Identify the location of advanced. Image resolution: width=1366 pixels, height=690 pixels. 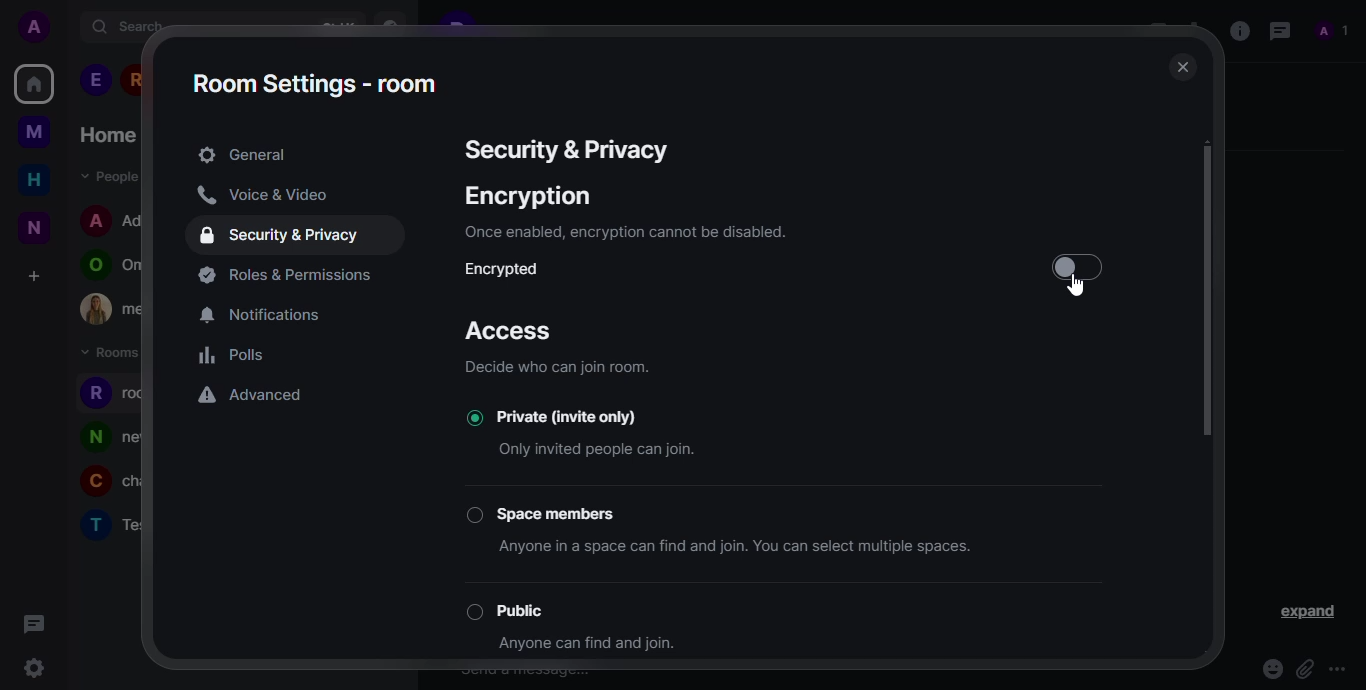
(256, 395).